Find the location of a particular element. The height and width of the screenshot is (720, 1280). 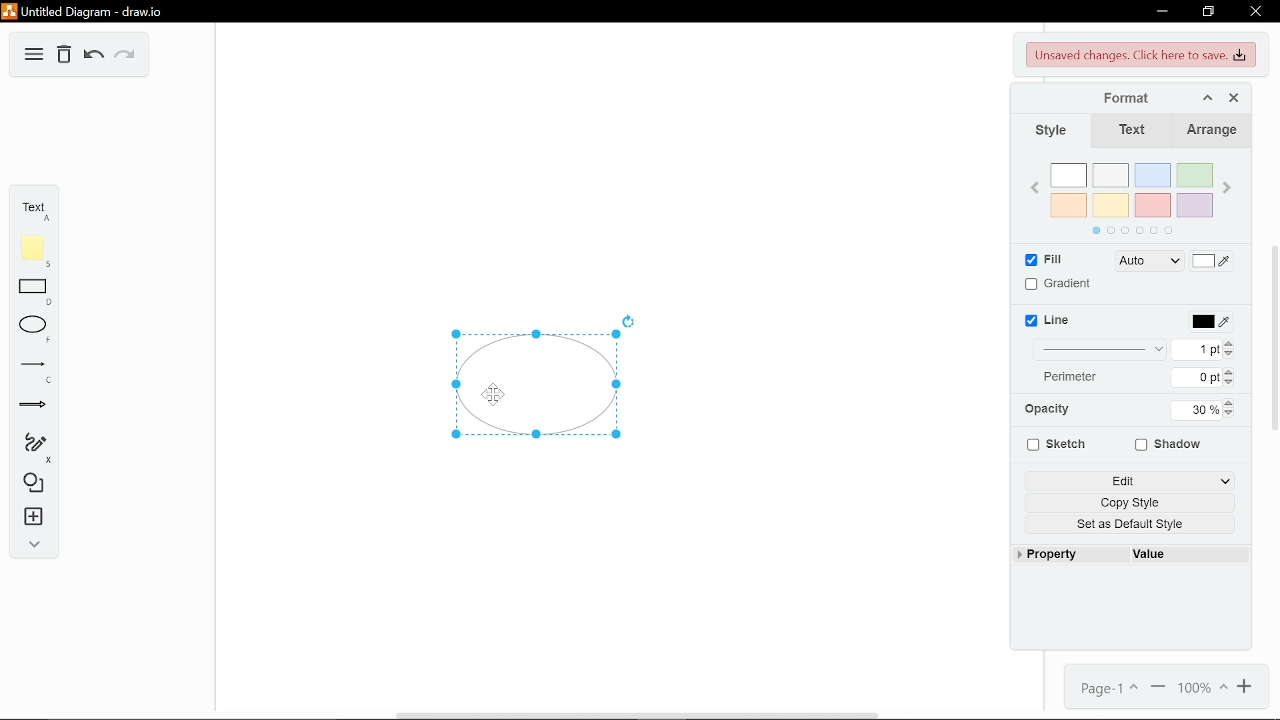

Delete is located at coordinates (66, 56).